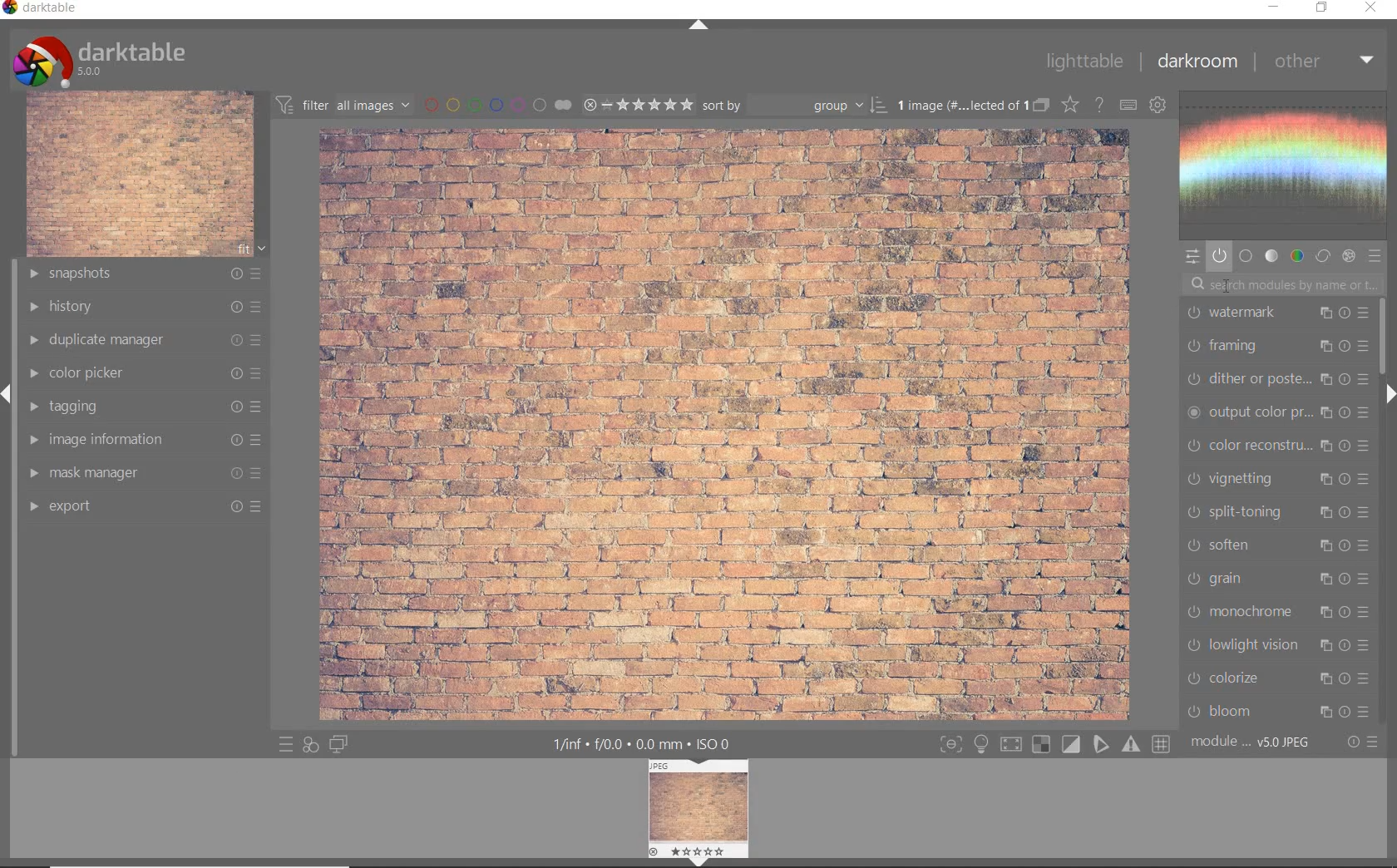 The width and height of the screenshot is (1397, 868). I want to click on effect, so click(1349, 255).